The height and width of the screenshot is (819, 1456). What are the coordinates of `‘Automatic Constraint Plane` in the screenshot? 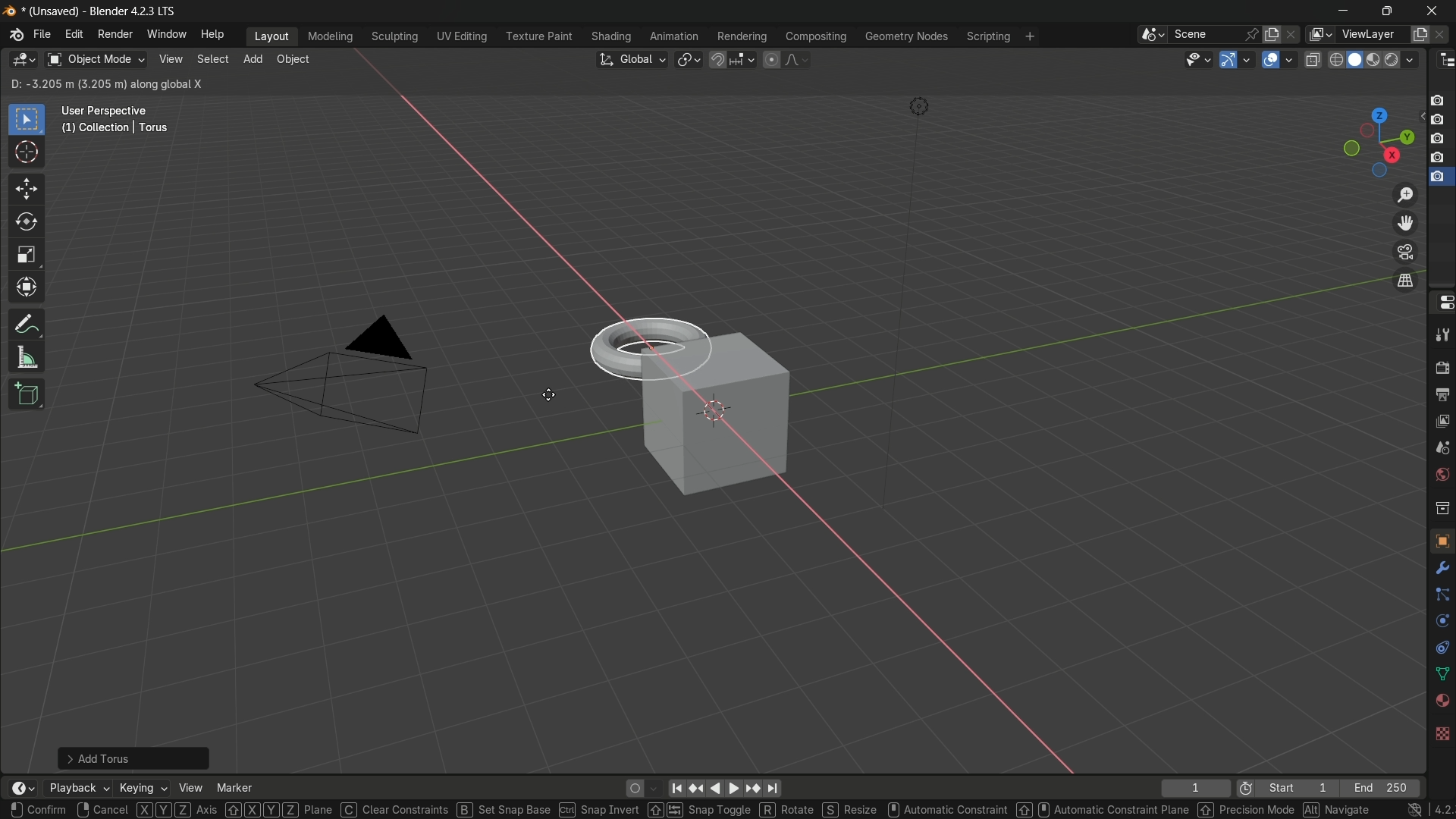 It's located at (1103, 810).